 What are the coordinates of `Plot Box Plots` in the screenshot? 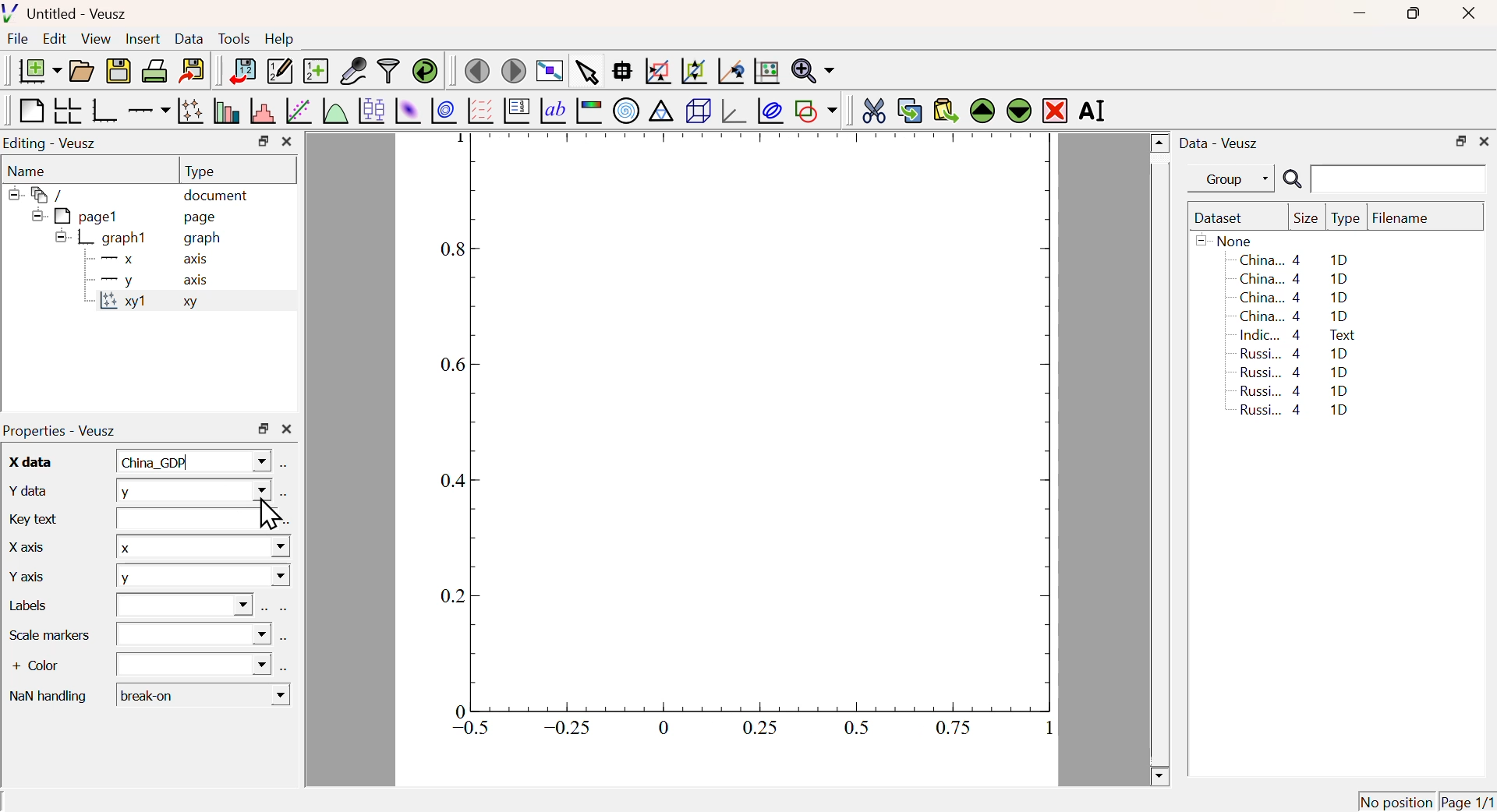 It's located at (370, 110).